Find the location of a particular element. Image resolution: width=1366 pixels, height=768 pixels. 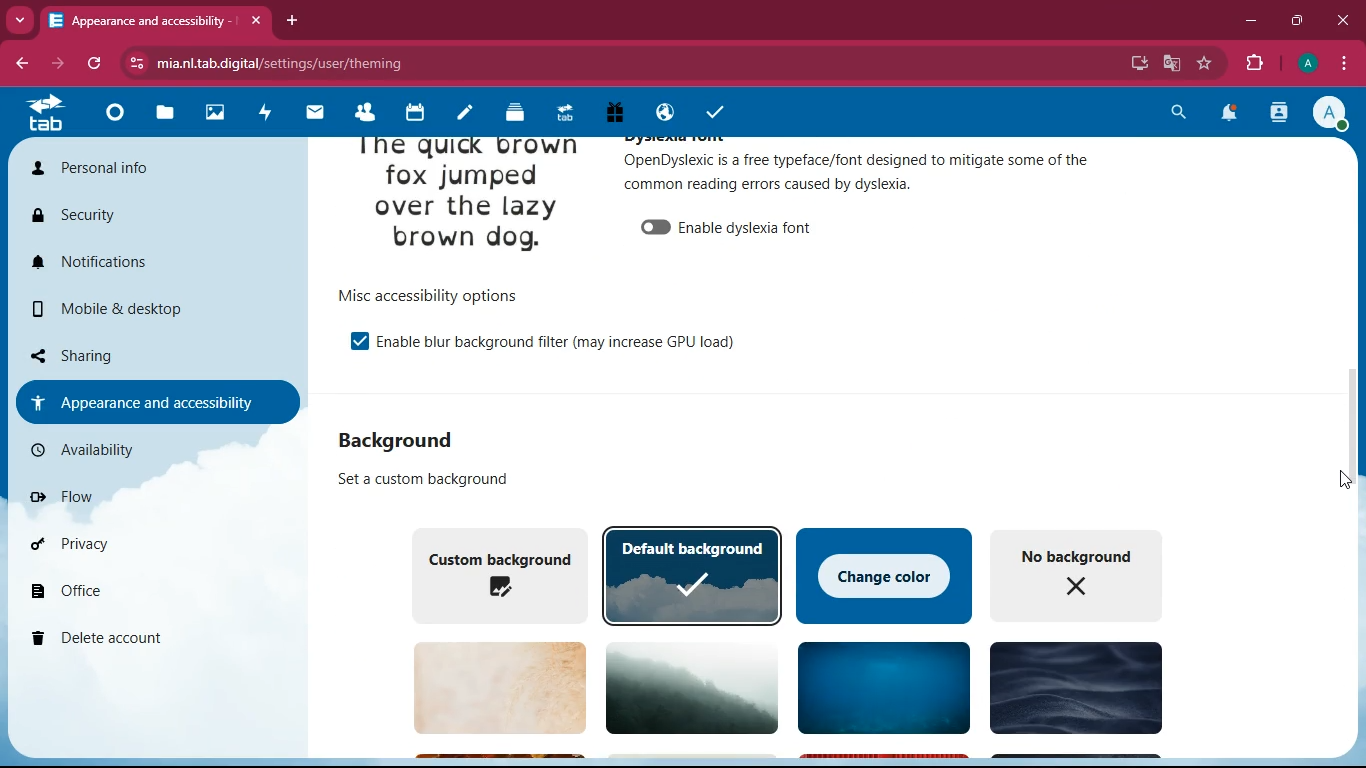

enable is located at coordinates (557, 340).